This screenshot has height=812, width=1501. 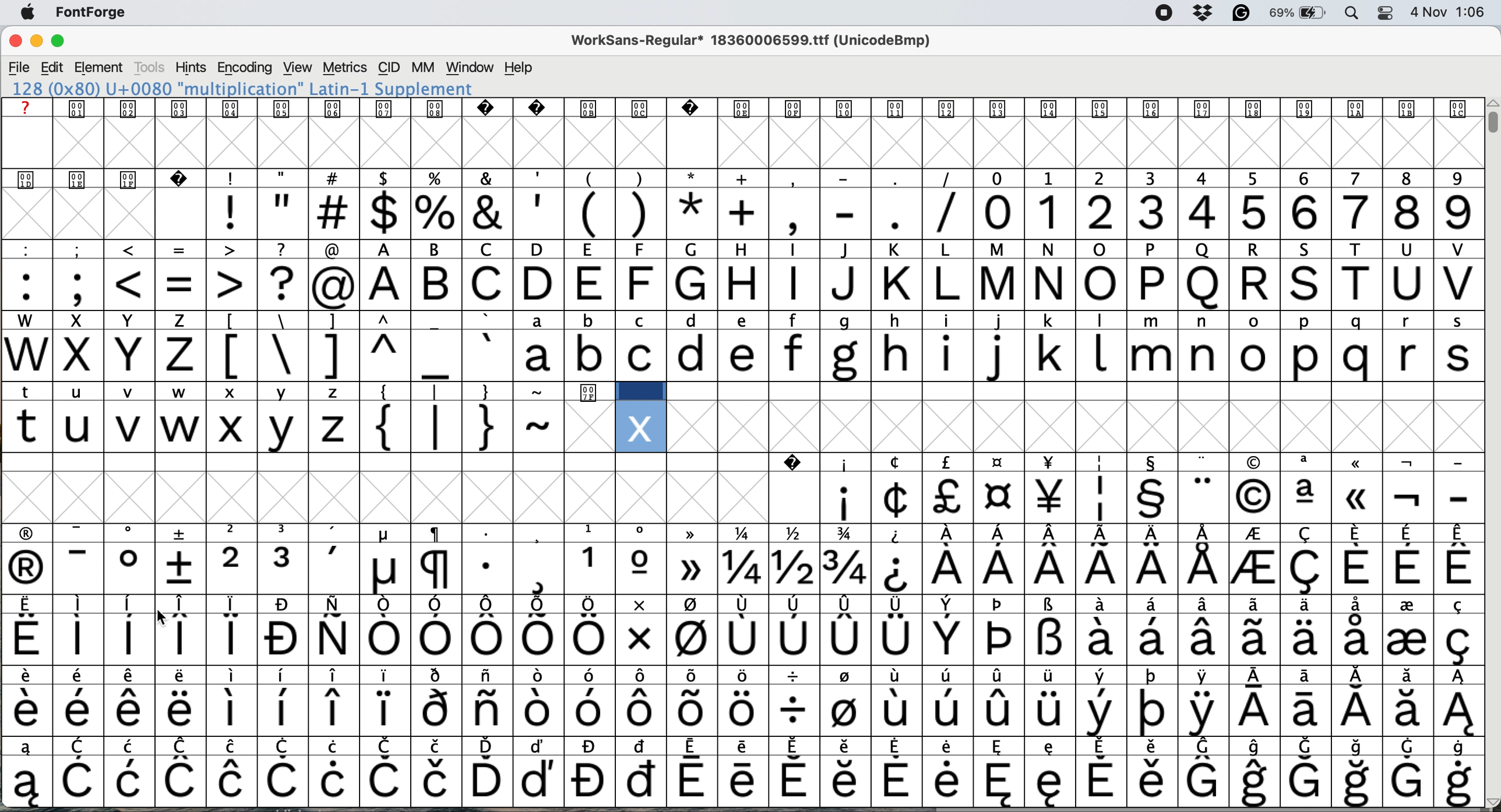 I want to click on t u v w: lower case letters, so click(x=106, y=428).